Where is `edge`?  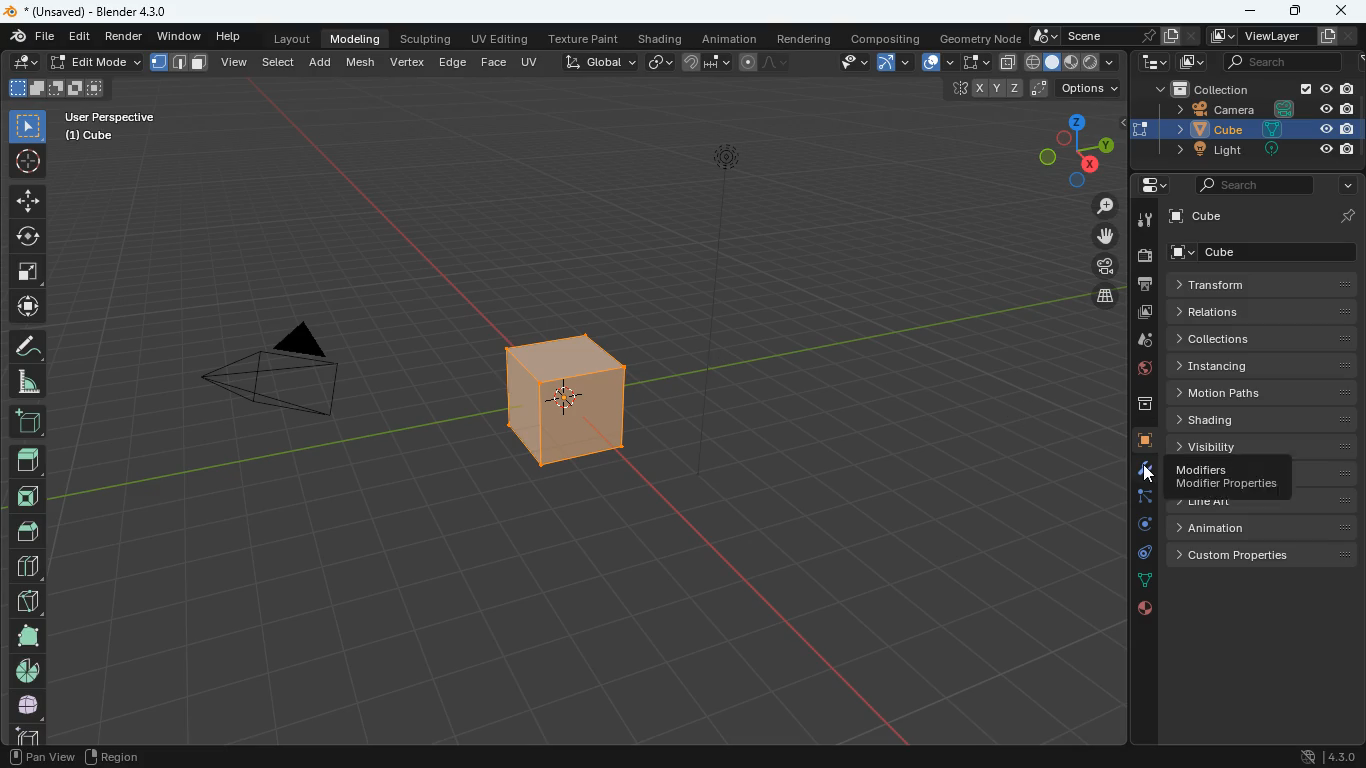
edge is located at coordinates (453, 61).